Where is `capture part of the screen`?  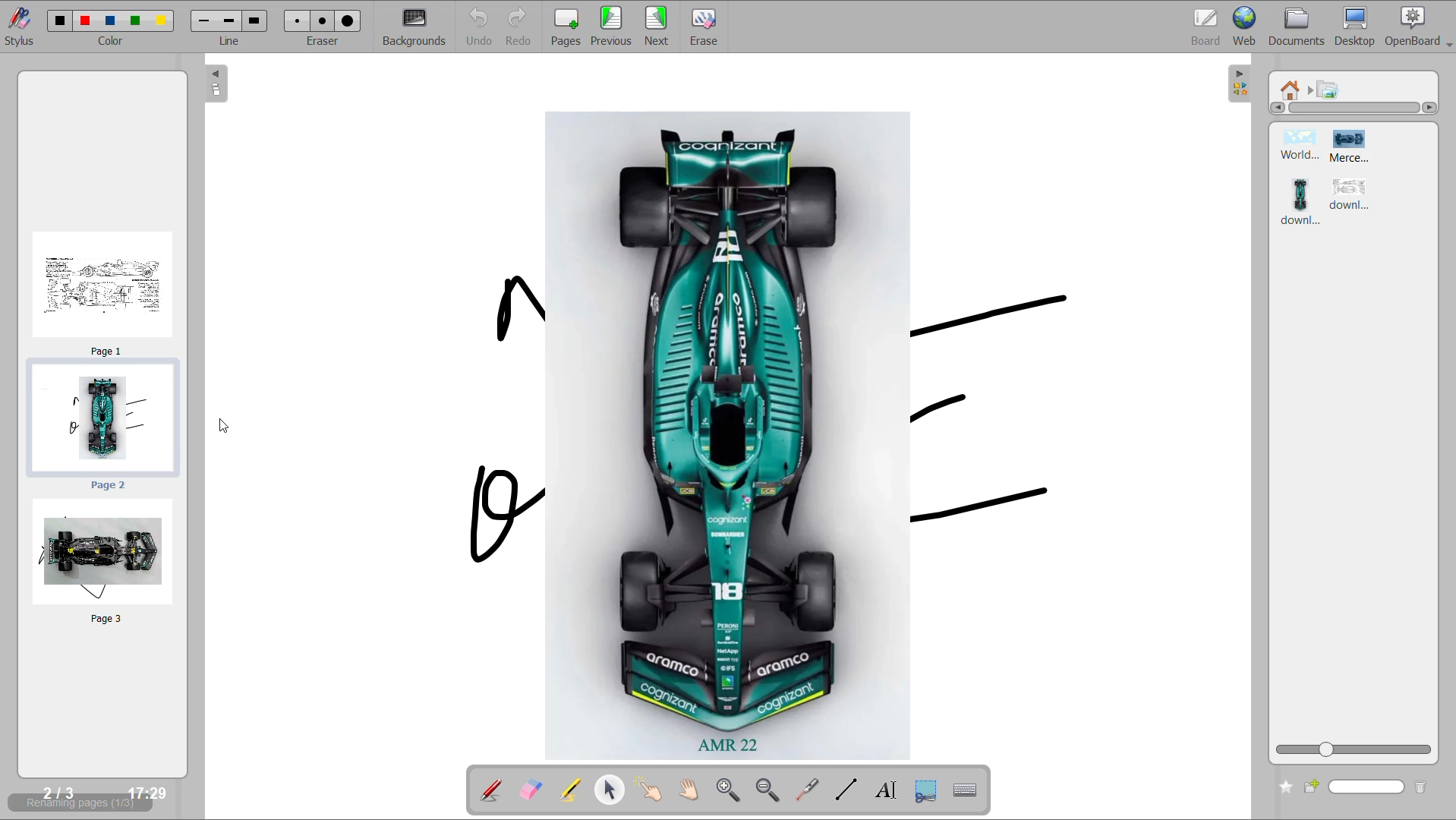 capture part of the screen is located at coordinates (928, 789).